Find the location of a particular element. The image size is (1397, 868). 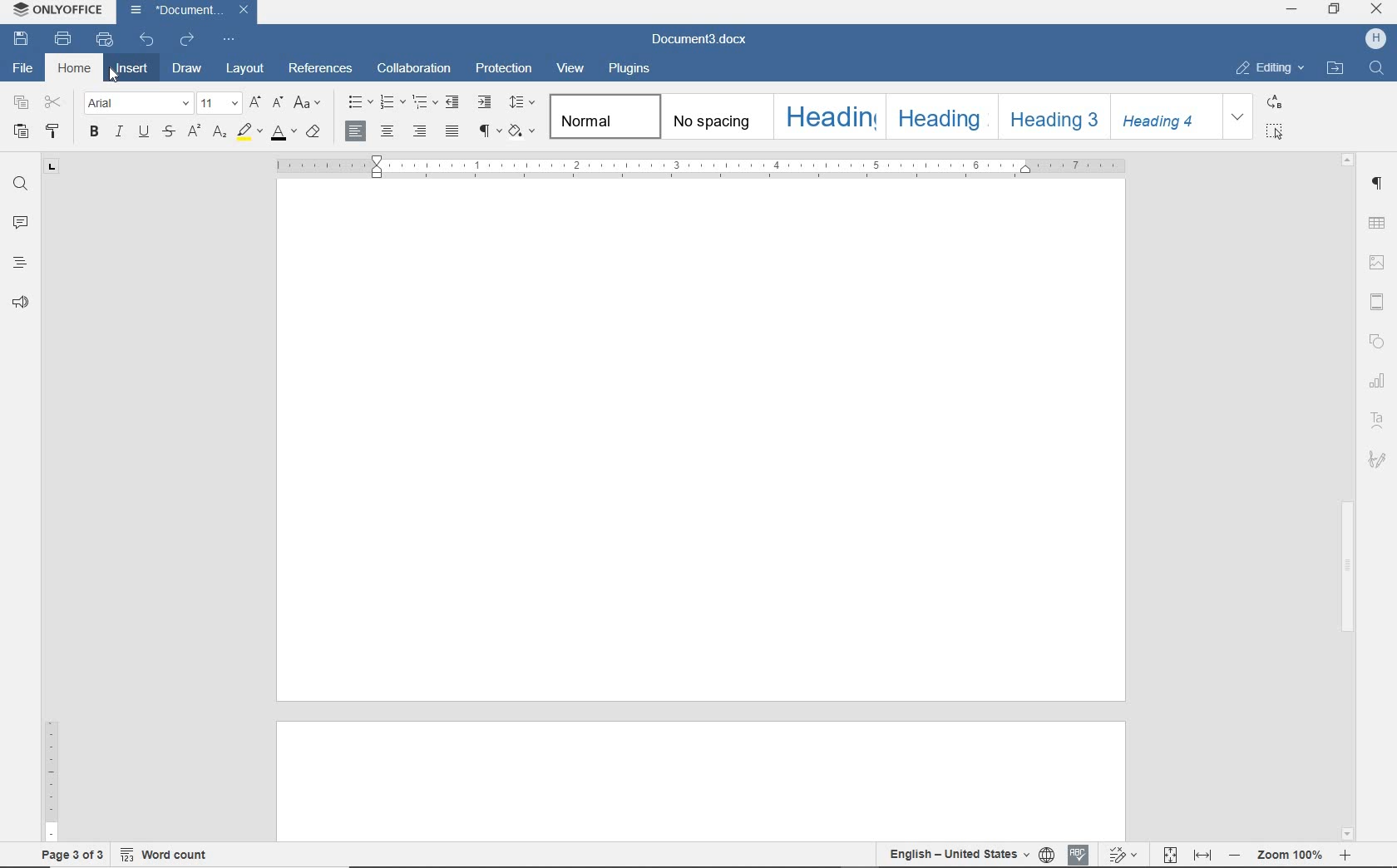

Zoom 100% is located at coordinates (1289, 855).